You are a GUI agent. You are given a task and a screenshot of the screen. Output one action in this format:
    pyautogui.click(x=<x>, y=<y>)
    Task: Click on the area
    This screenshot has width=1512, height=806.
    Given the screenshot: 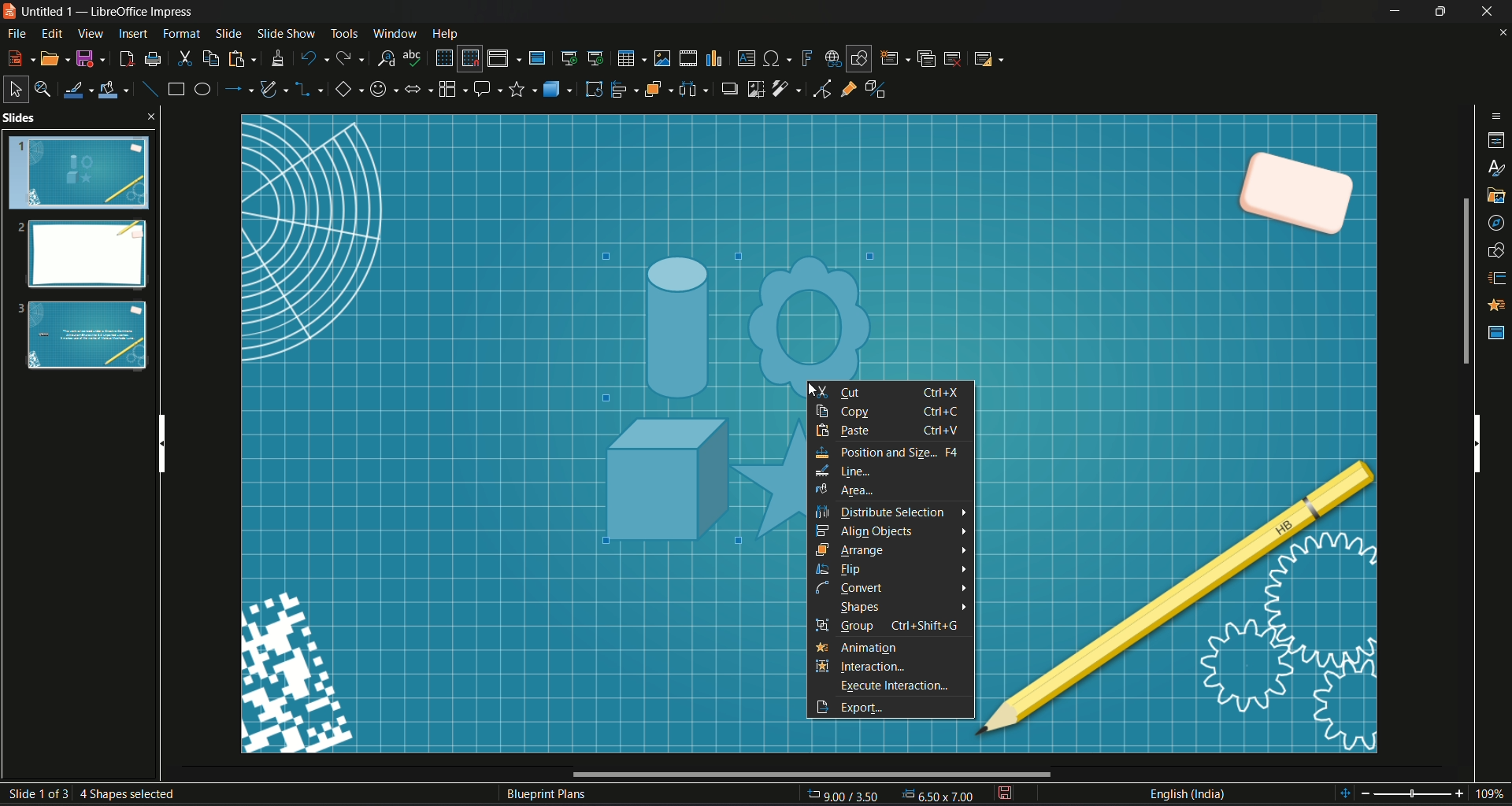 What is the action you would take?
    pyautogui.click(x=847, y=490)
    